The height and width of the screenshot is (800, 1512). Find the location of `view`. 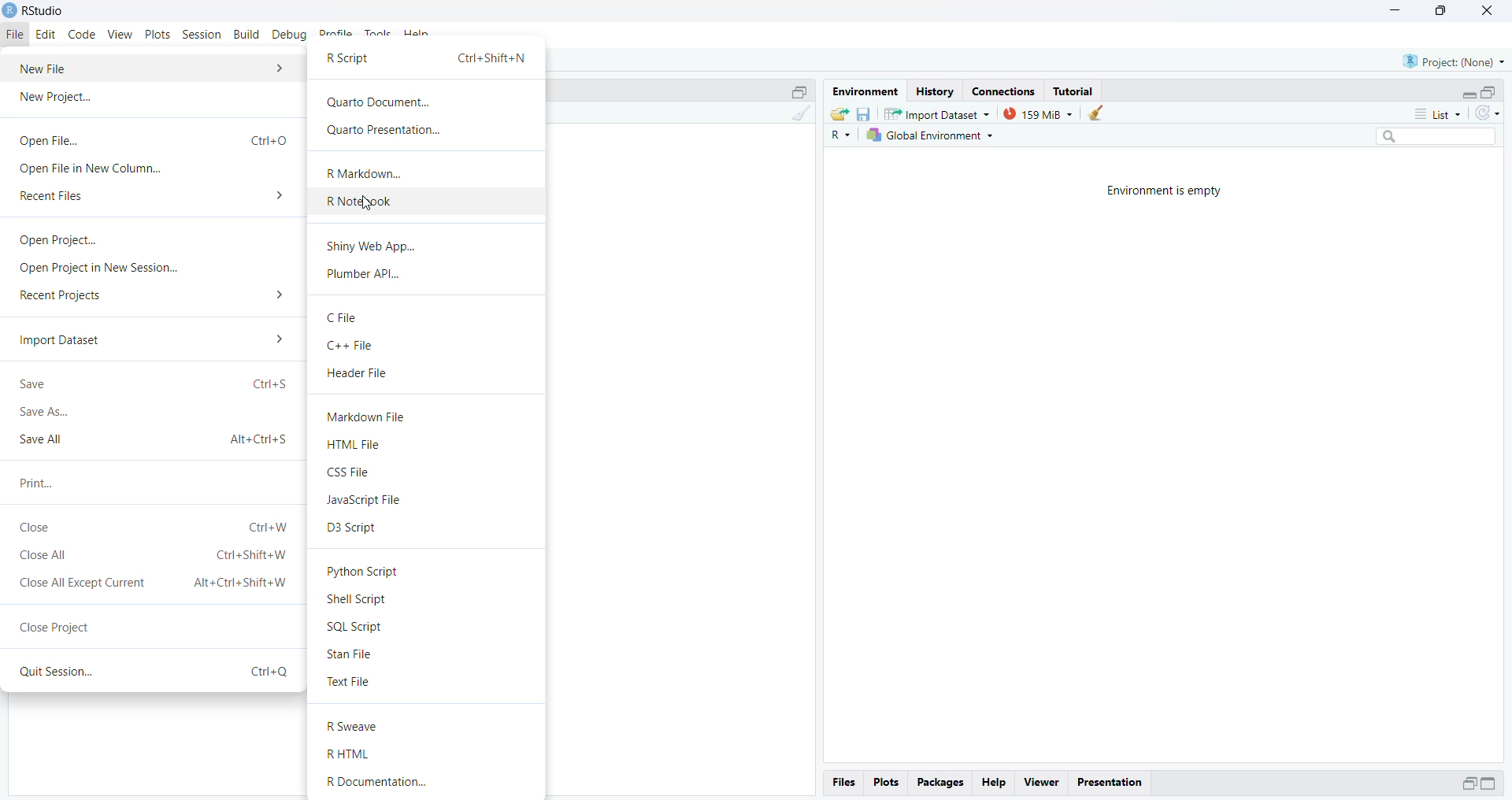

view is located at coordinates (120, 35).